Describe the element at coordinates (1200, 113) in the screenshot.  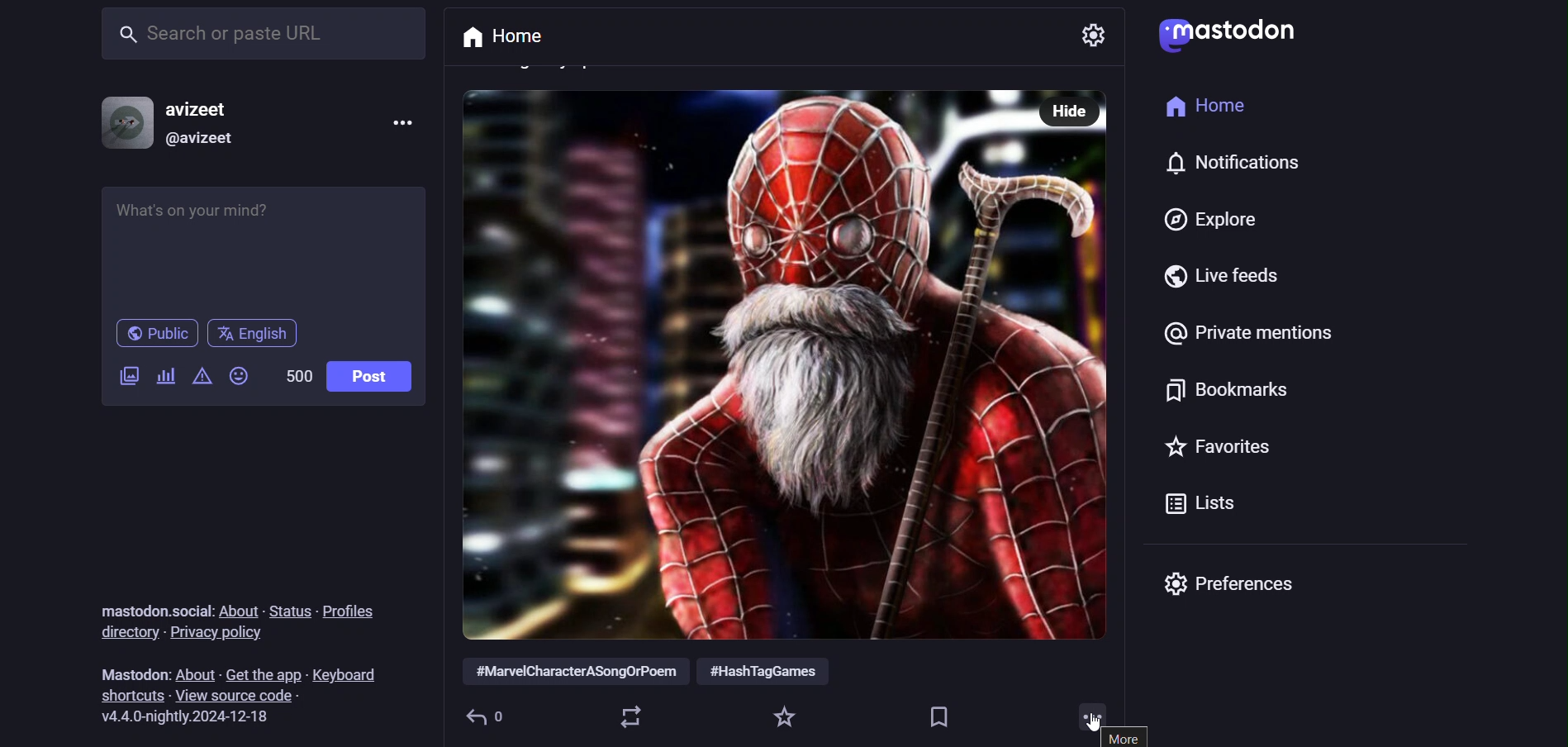
I see `home` at that location.